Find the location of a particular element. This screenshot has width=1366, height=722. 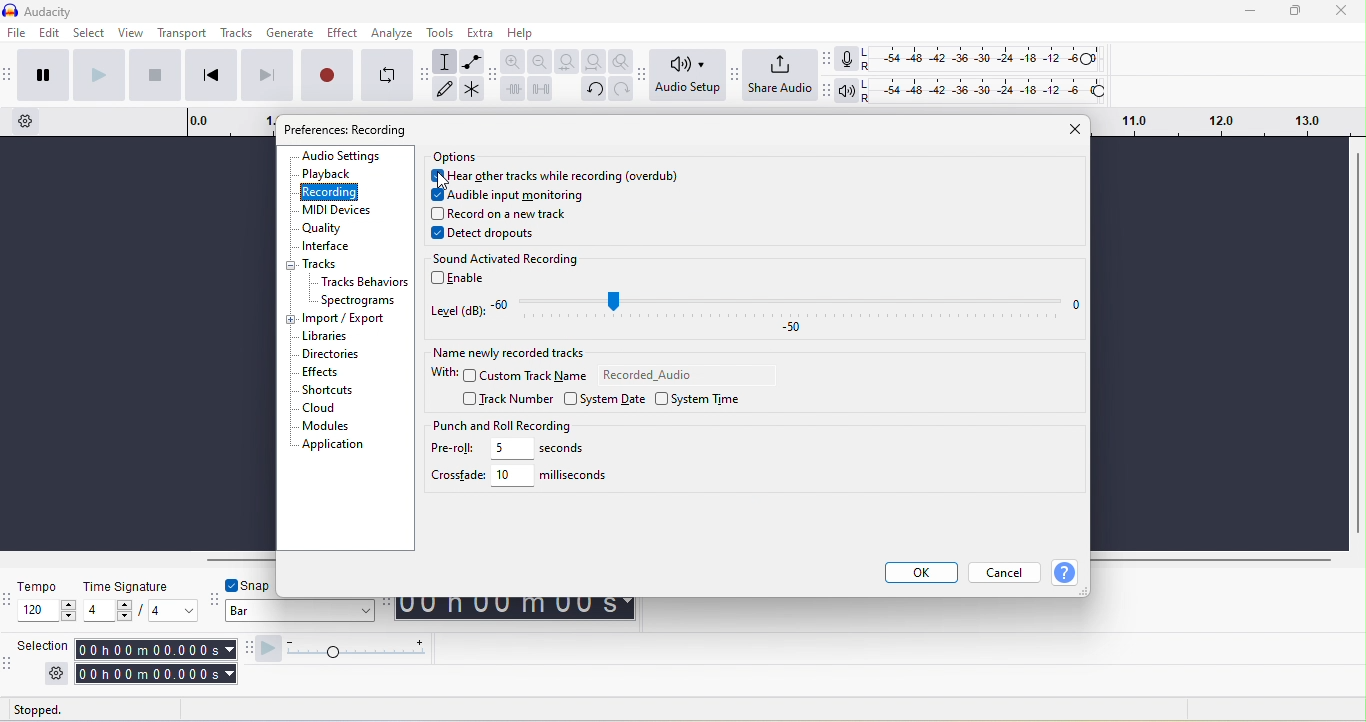

punch and roll recording is located at coordinates (513, 426).